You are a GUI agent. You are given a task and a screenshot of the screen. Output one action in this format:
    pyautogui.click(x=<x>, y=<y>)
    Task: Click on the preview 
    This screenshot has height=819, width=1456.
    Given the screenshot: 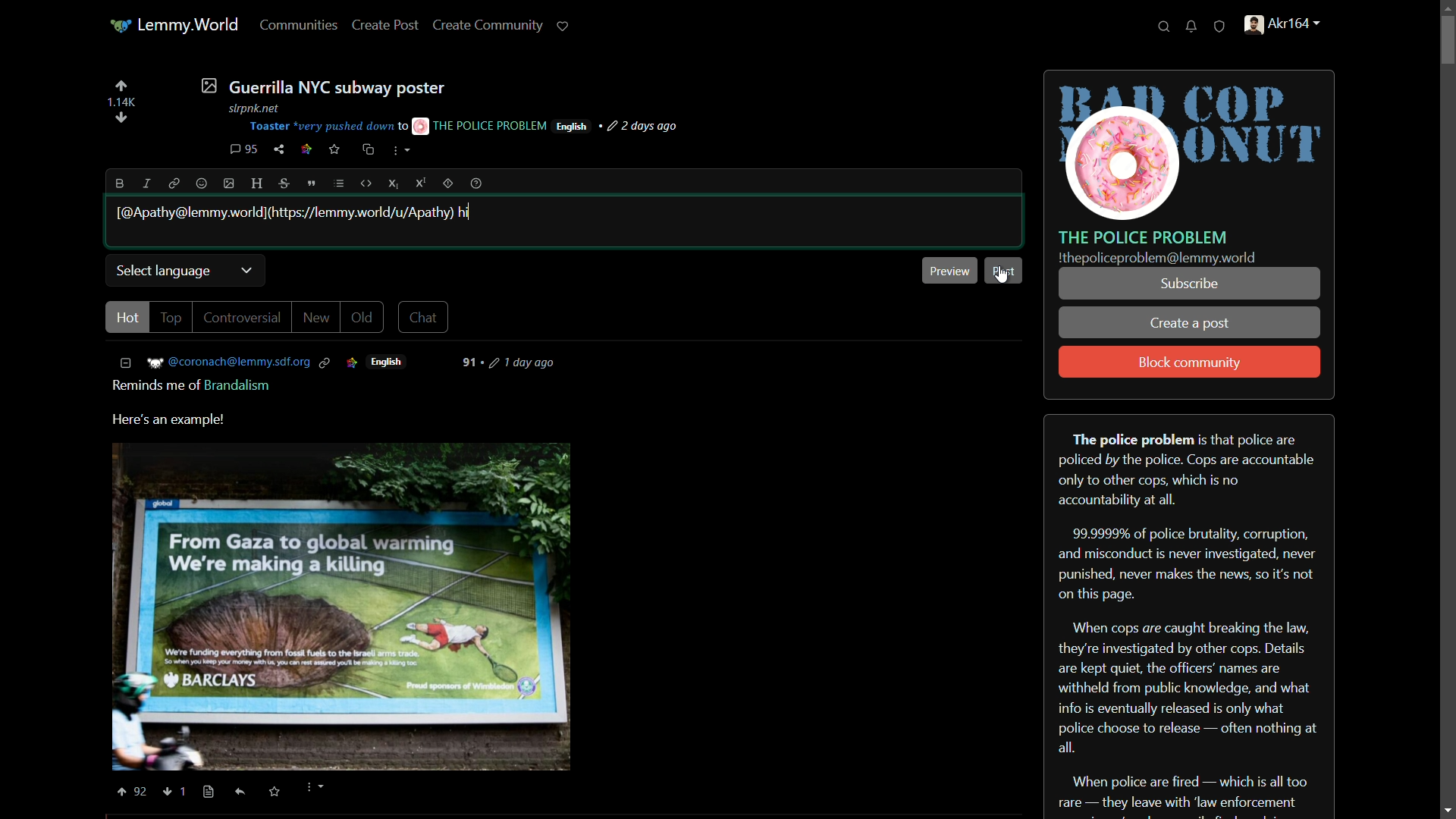 What is the action you would take?
    pyautogui.click(x=949, y=270)
    